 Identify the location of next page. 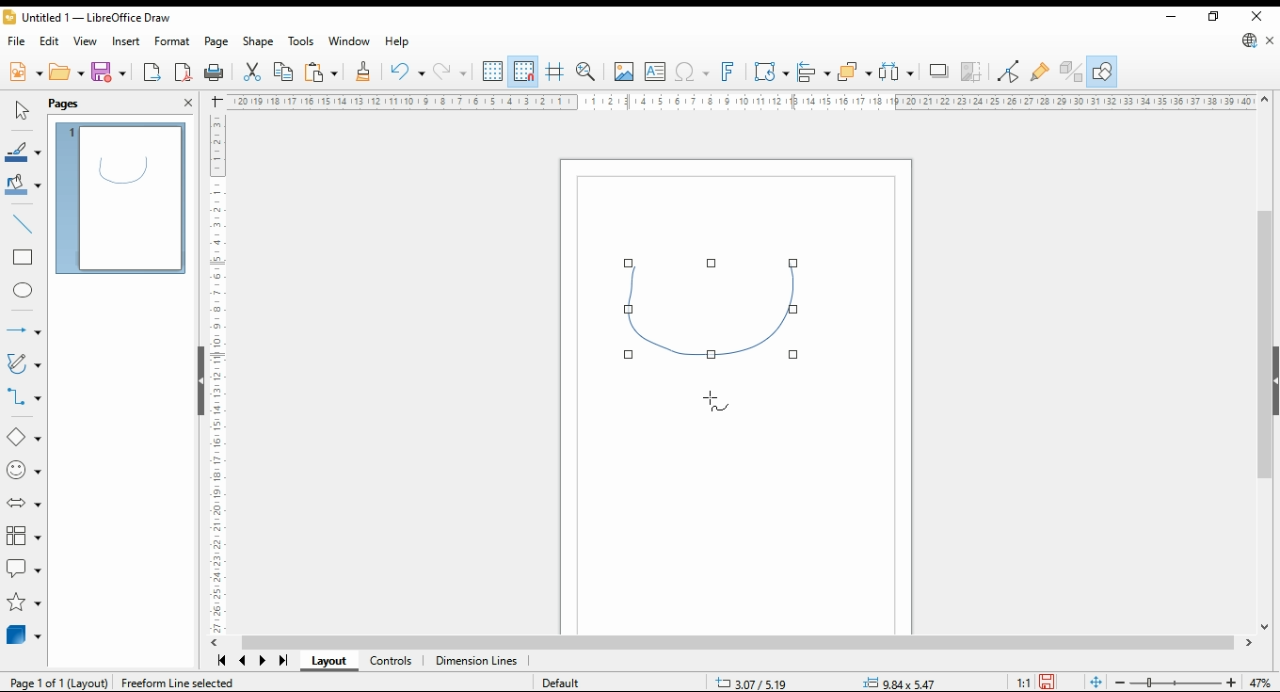
(262, 661).